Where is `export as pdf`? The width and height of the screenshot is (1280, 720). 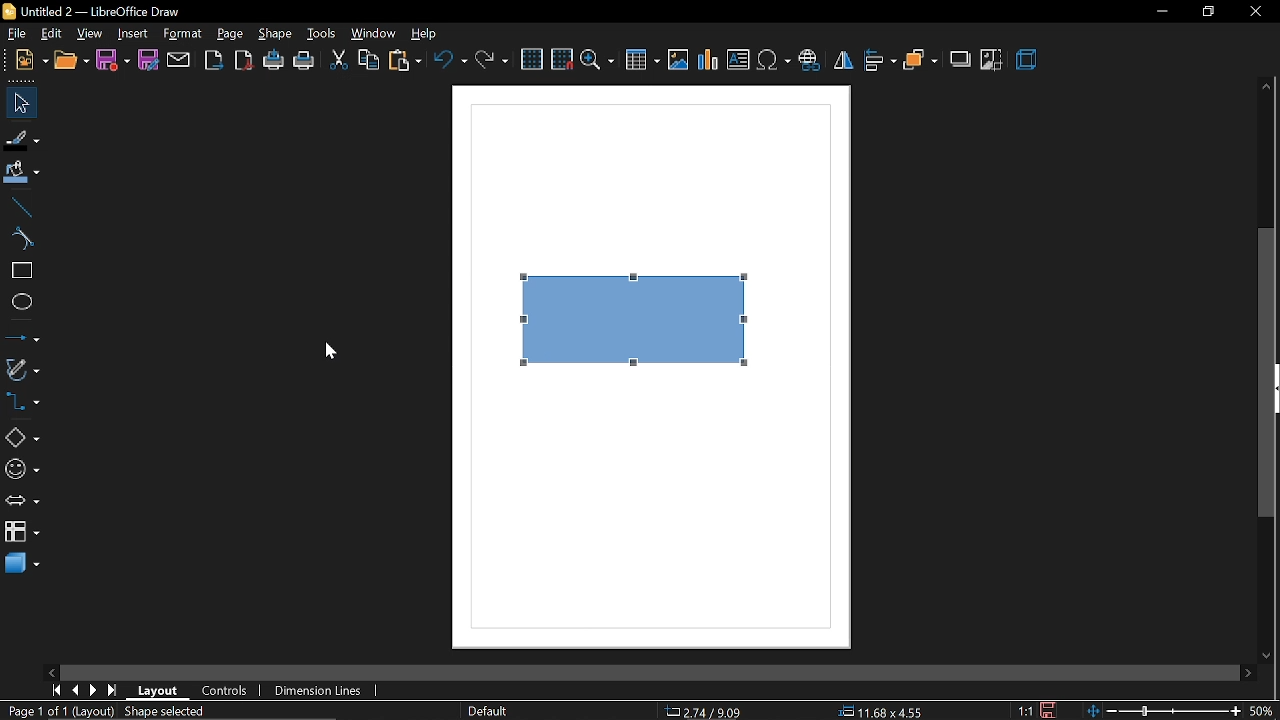 export as pdf is located at coordinates (245, 60).